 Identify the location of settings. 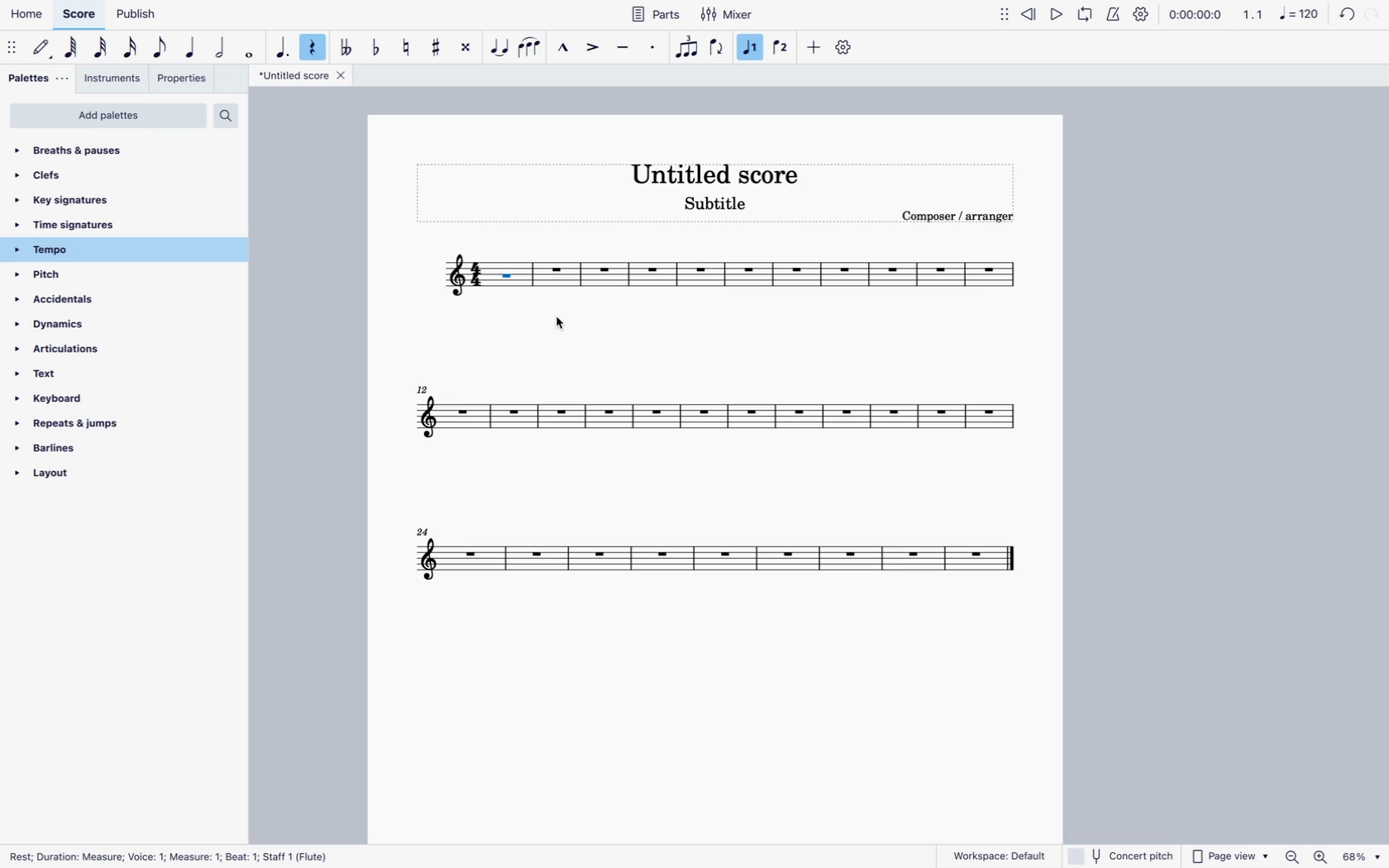
(845, 49).